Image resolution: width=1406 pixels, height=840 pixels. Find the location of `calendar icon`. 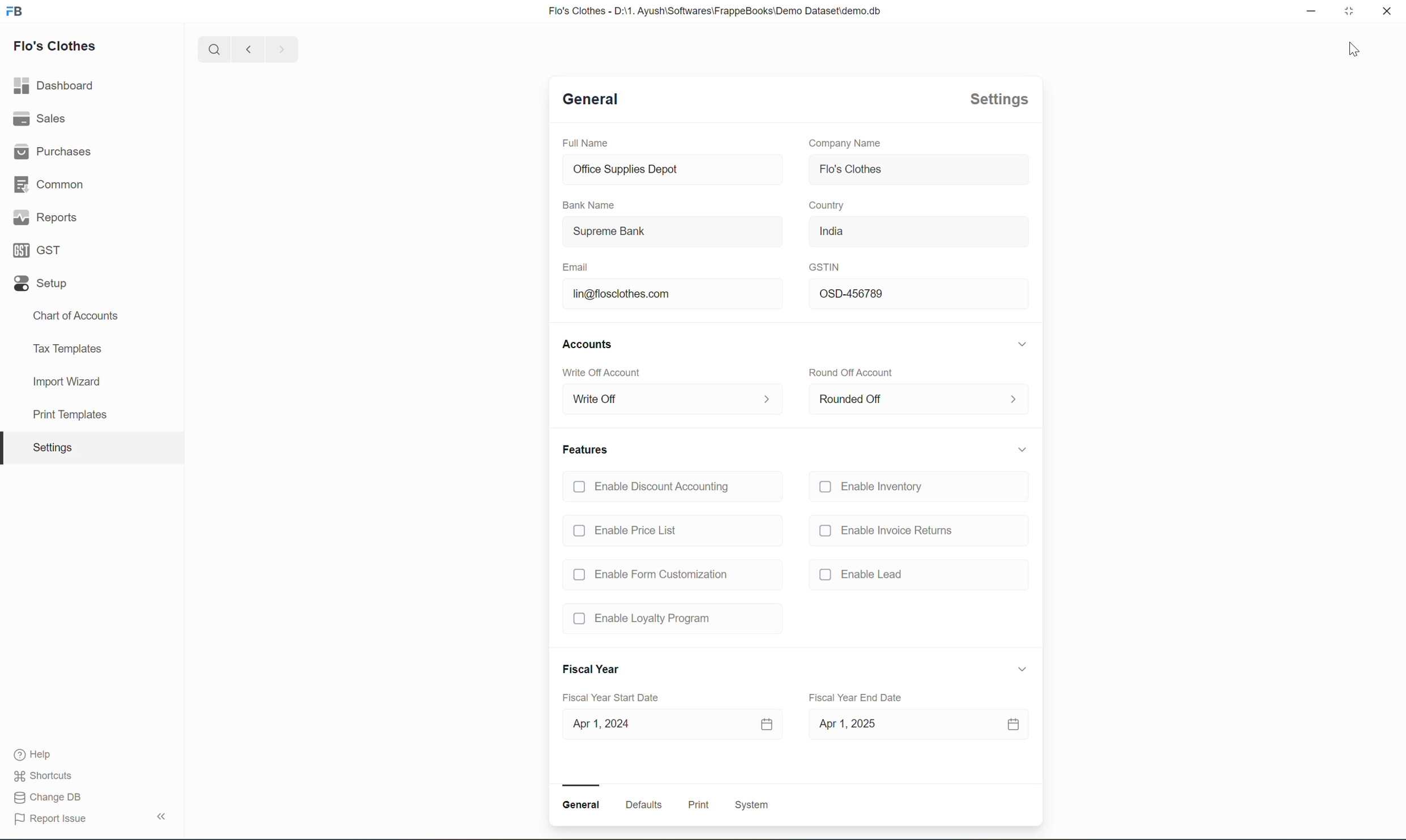

calendar icon is located at coordinates (1014, 725).